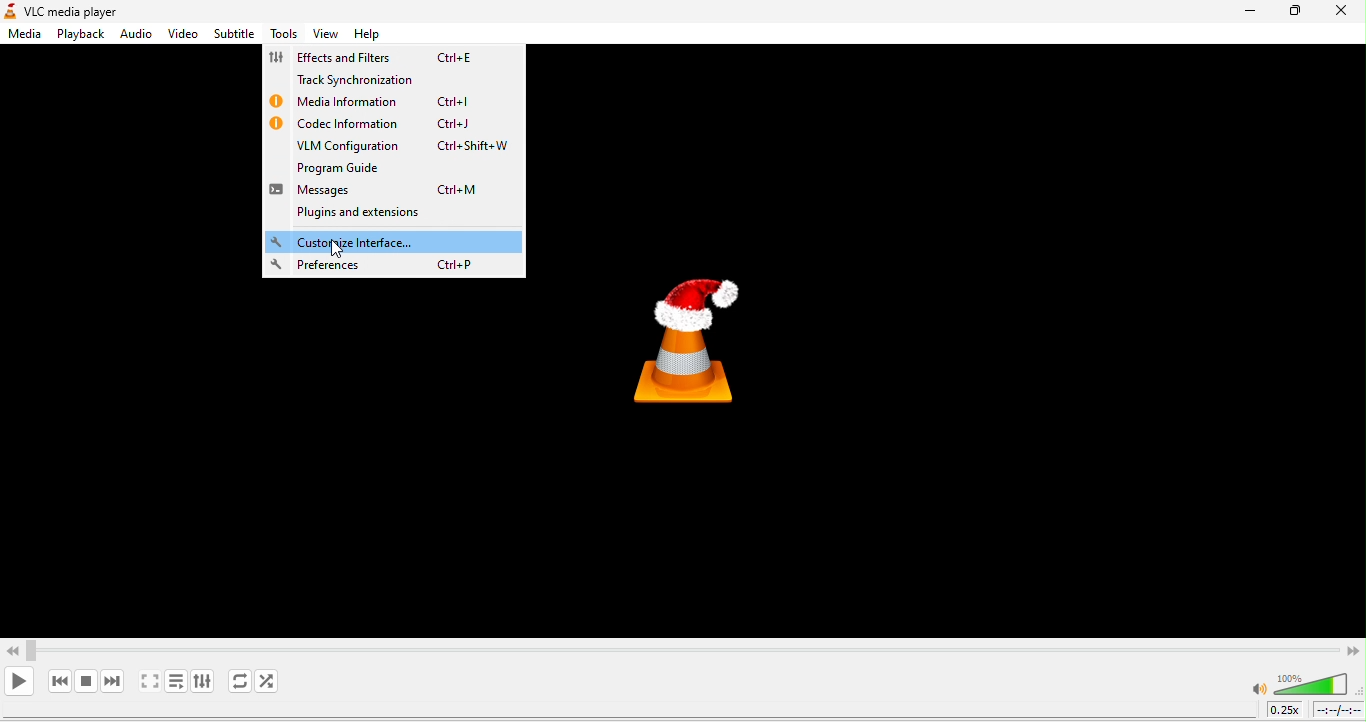  What do you see at coordinates (339, 248) in the screenshot?
I see `cursor movement` at bounding box center [339, 248].